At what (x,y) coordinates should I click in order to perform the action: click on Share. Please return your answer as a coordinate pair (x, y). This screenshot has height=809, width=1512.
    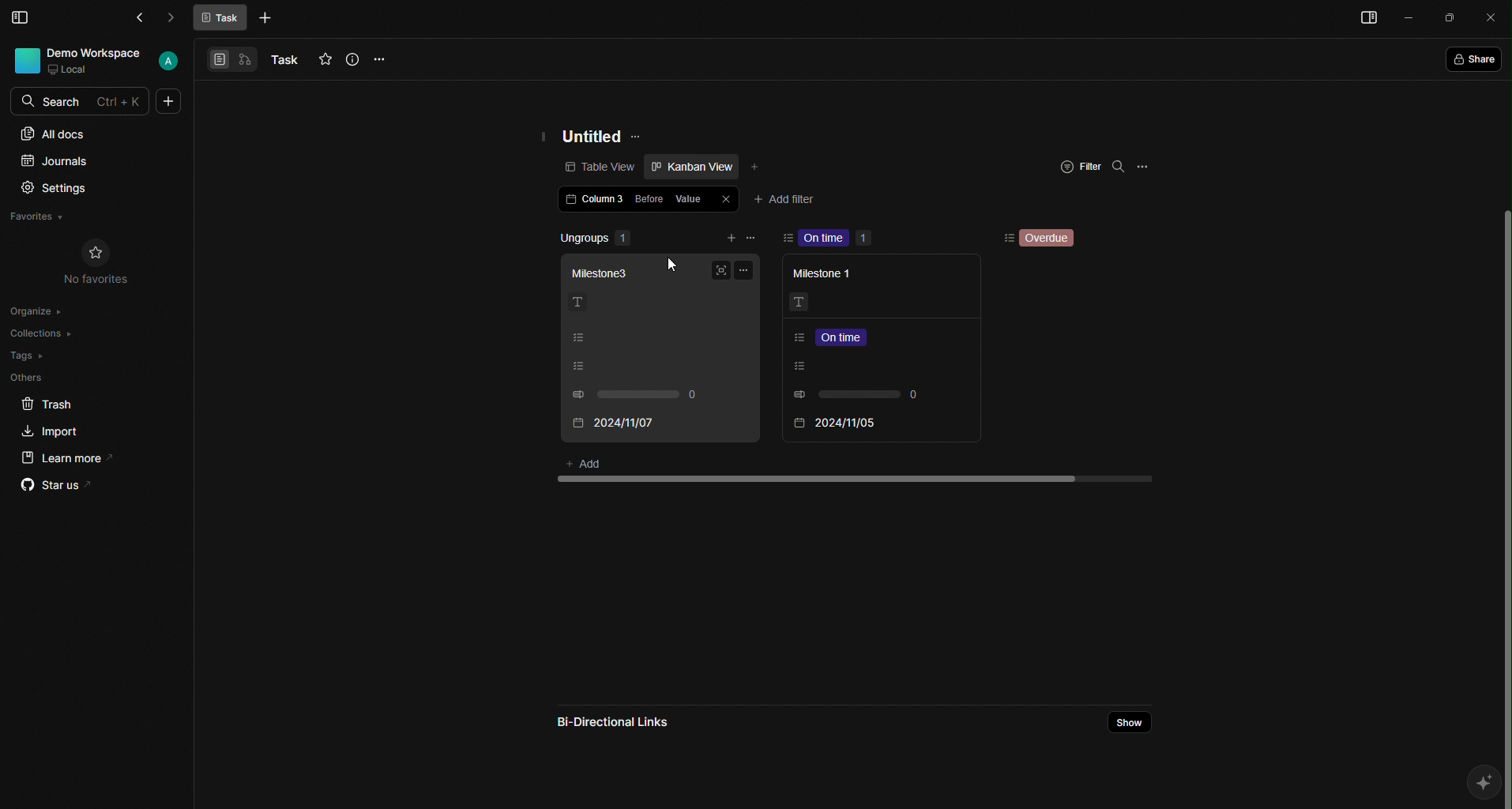
    Looking at the image, I should click on (1125, 721).